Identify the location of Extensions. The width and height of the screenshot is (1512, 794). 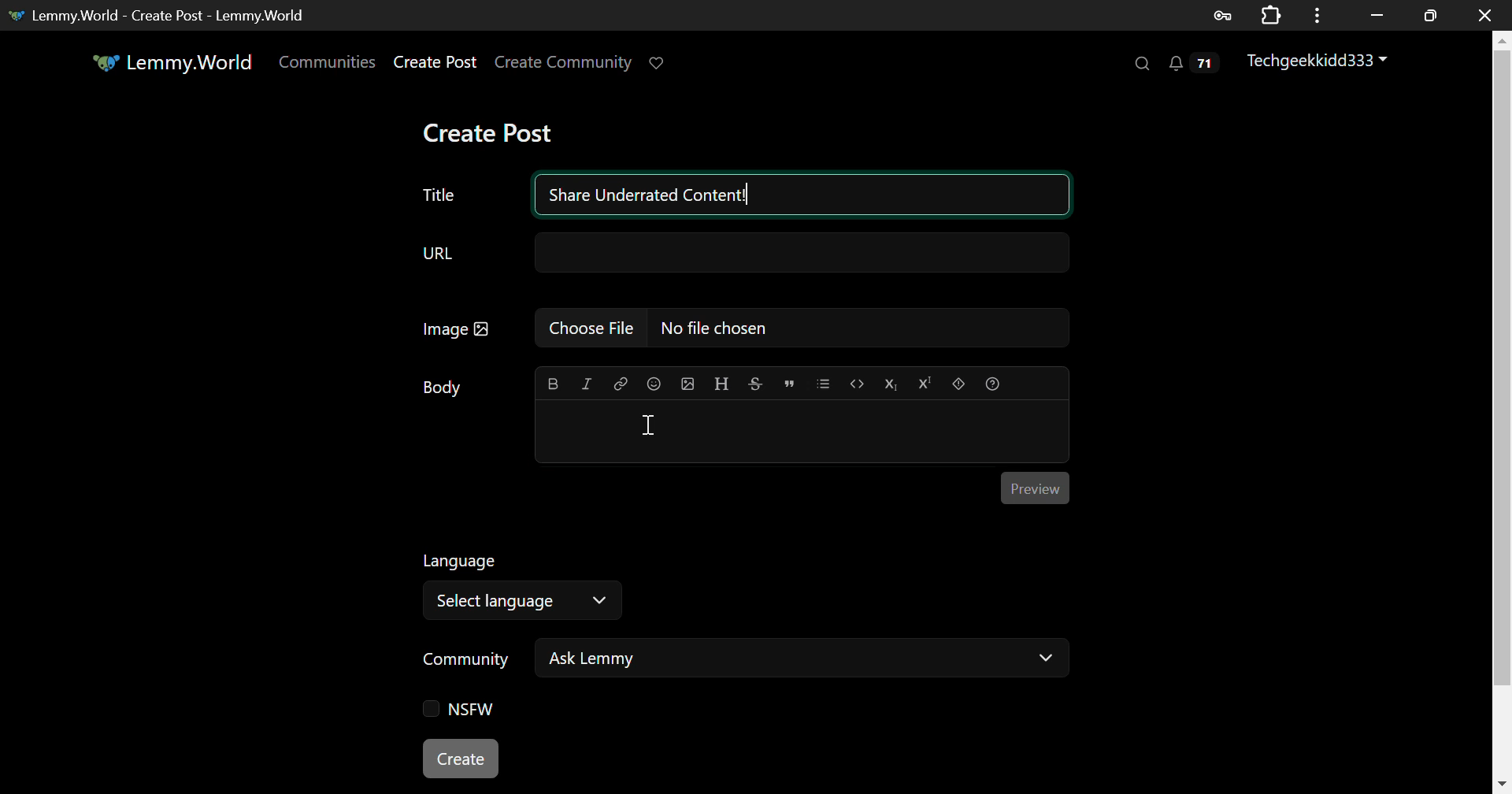
(1271, 13).